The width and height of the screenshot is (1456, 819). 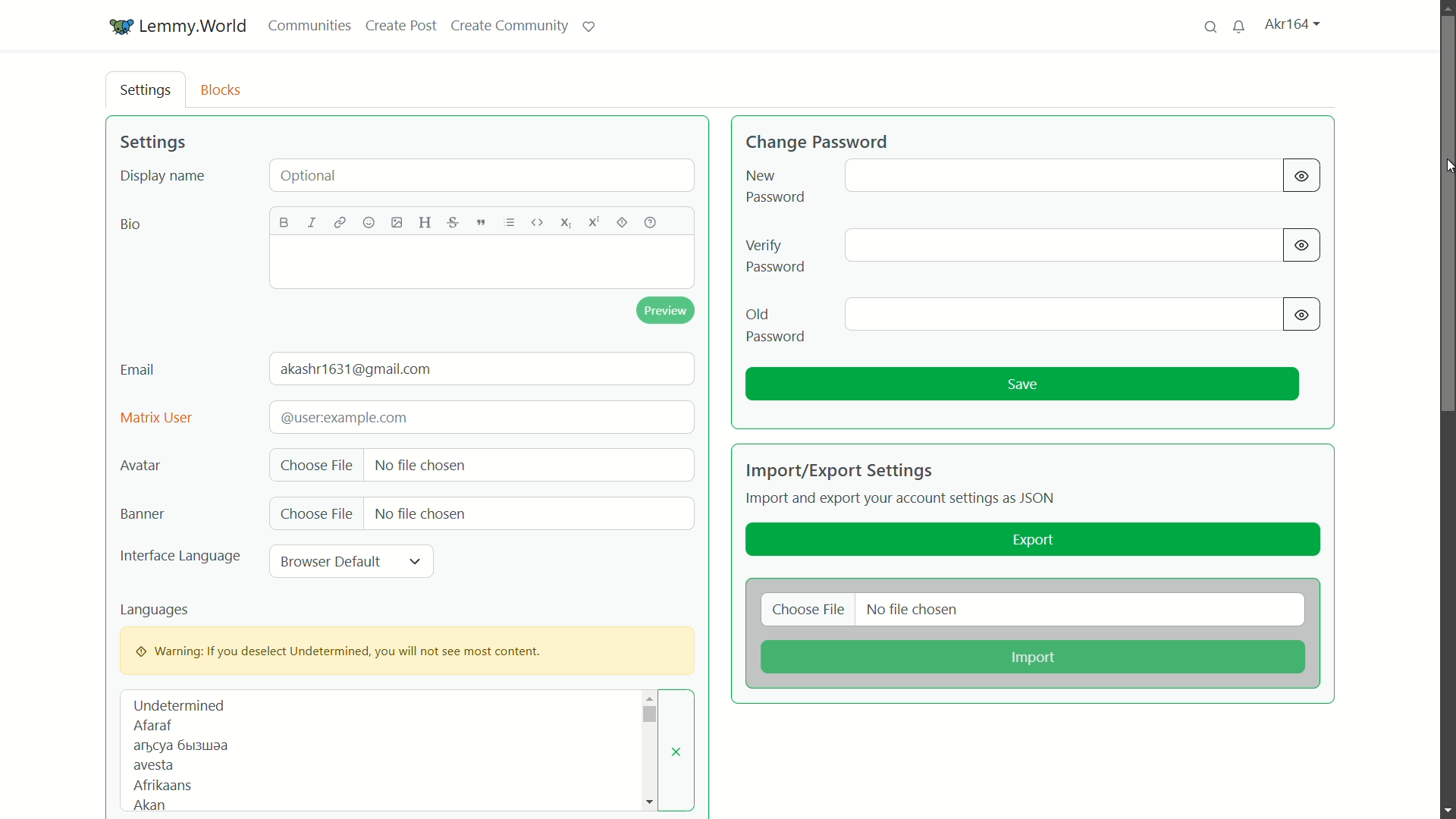 I want to click on change password, so click(x=818, y=140).